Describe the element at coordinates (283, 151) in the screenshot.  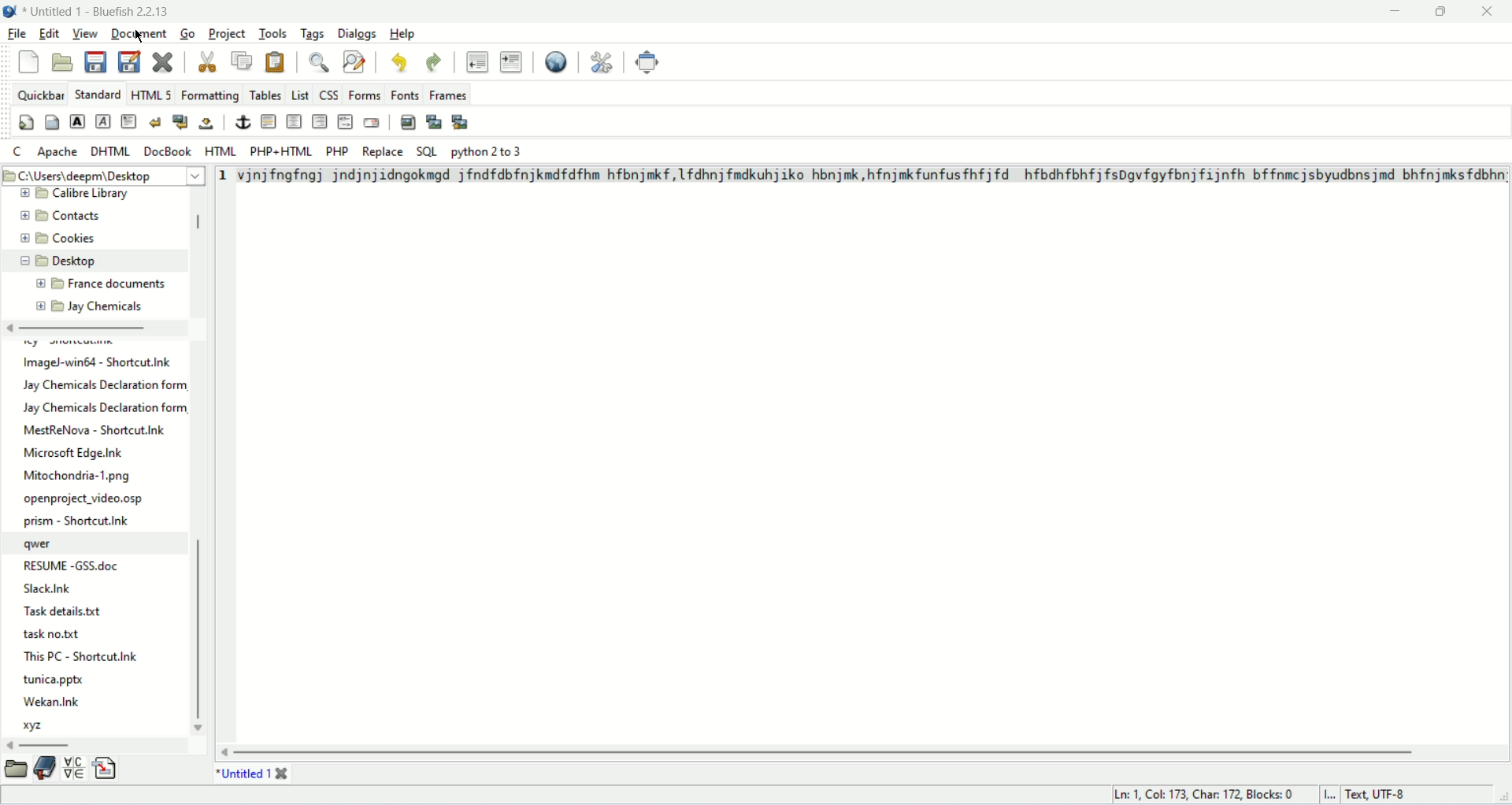
I see `PHP+HTML` at that location.